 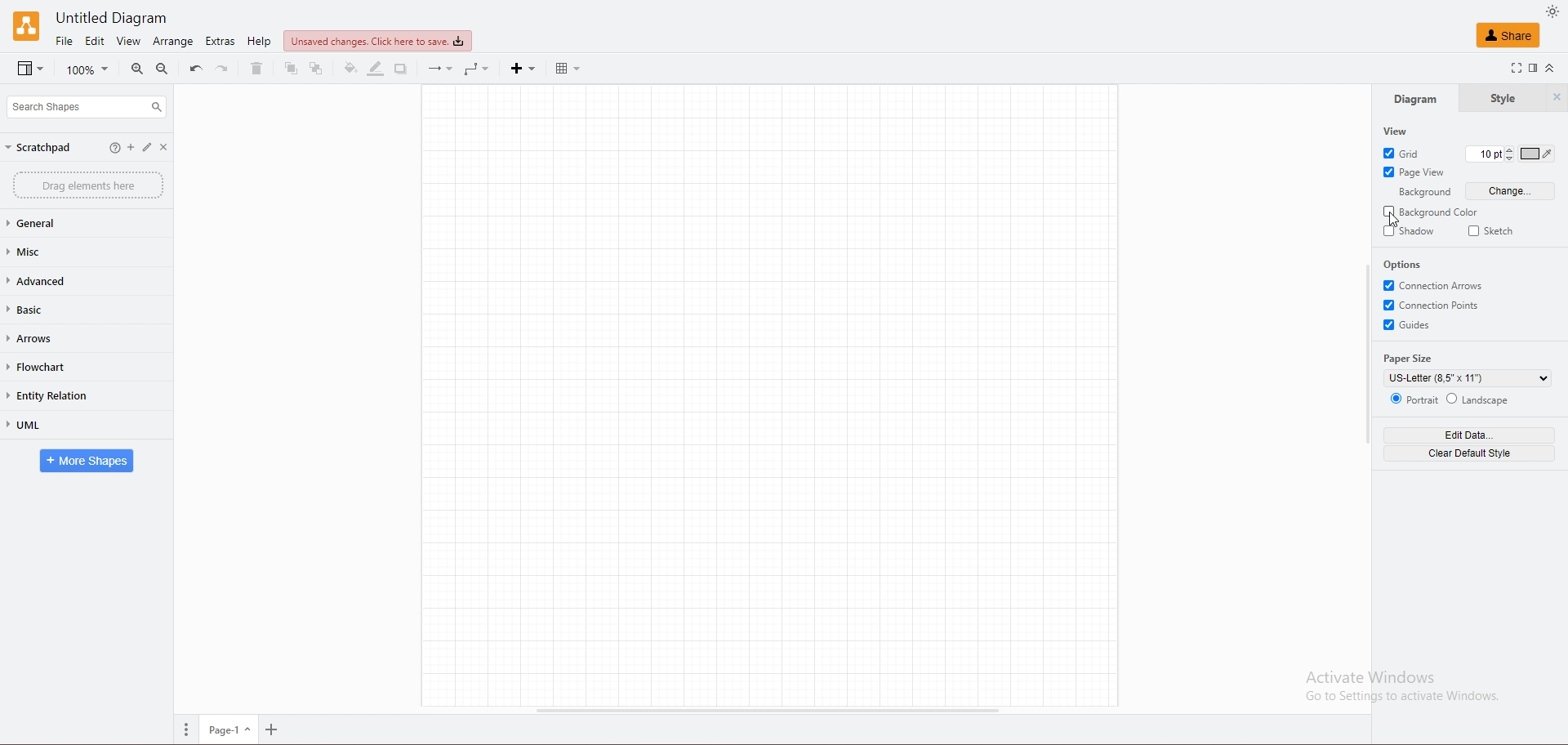 I want to click on connection points, so click(x=1435, y=305).